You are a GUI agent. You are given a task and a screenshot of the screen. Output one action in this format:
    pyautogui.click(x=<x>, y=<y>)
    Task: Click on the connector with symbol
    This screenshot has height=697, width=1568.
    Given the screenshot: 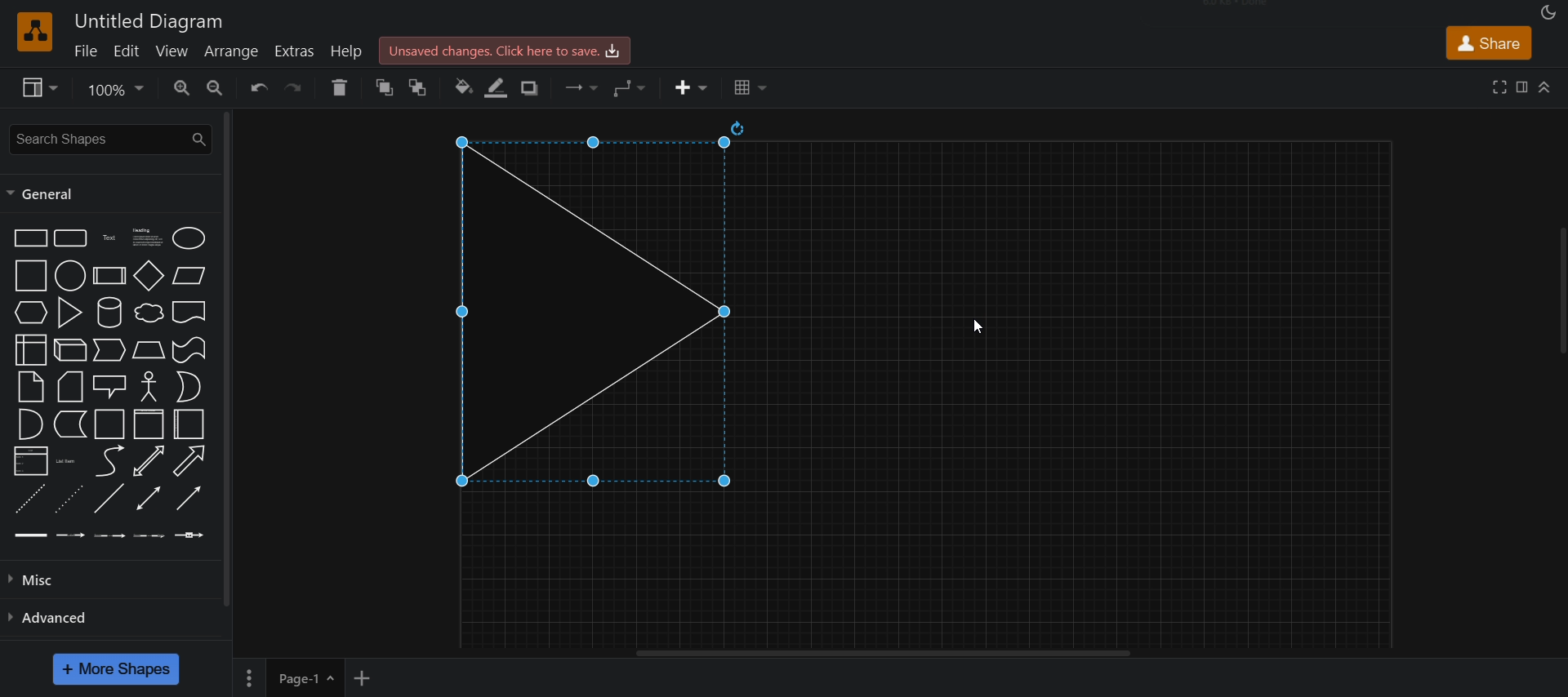 What is the action you would take?
    pyautogui.click(x=189, y=536)
    